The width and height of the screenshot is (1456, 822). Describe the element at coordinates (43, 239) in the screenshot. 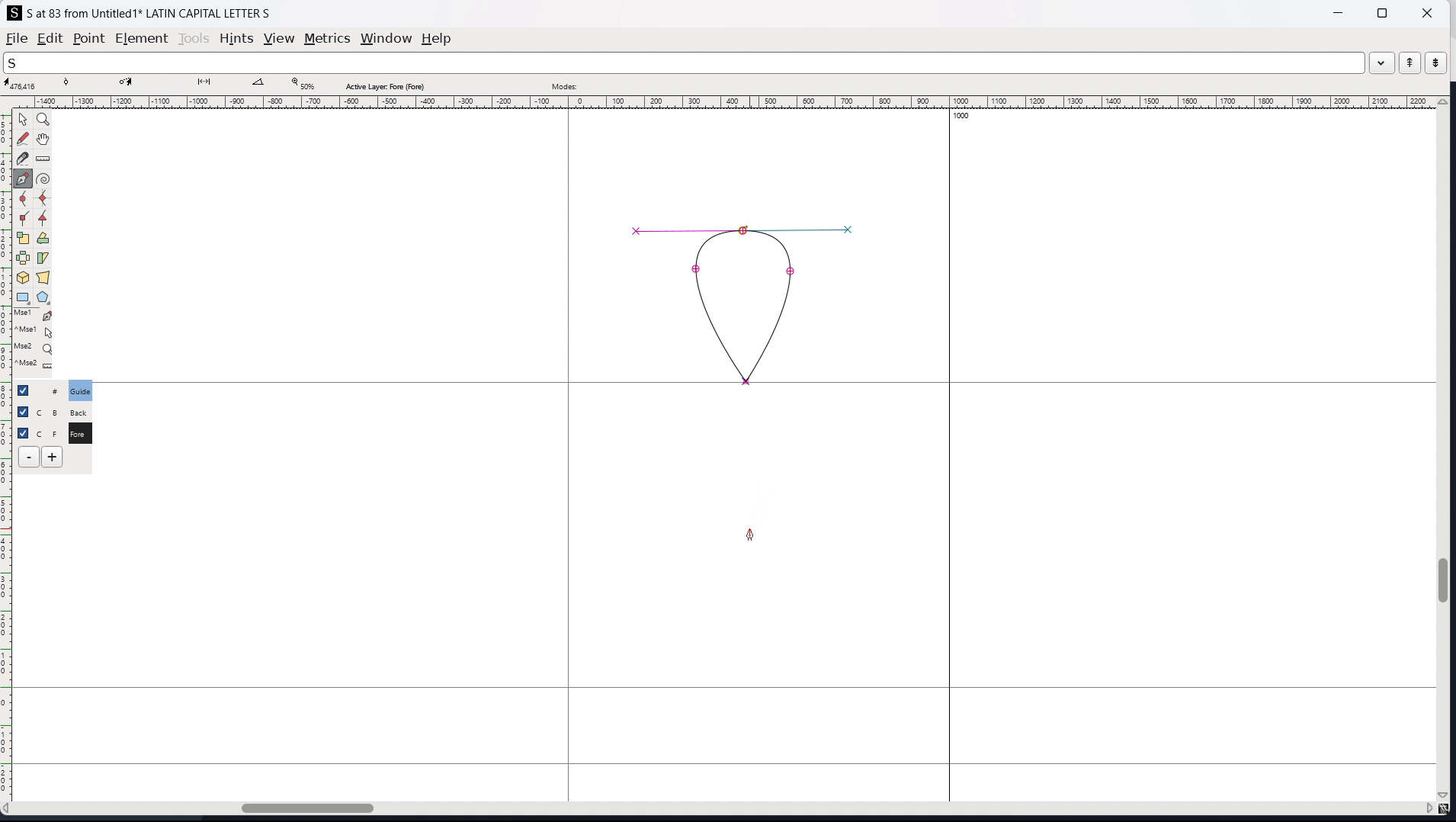

I see `rotate selection` at that location.